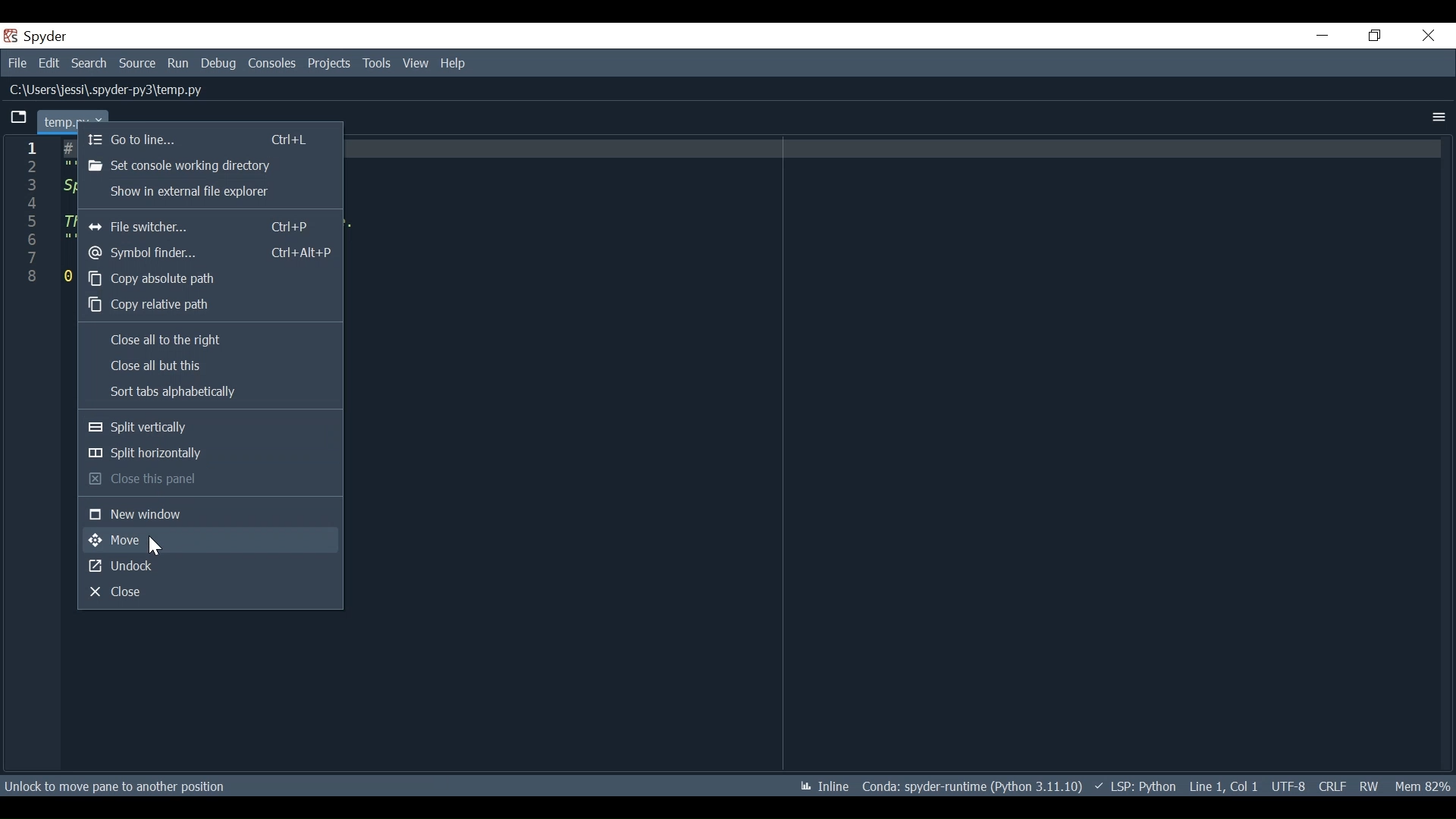 This screenshot has height=819, width=1456. Describe the element at coordinates (210, 515) in the screenshot. I see `New window` at that location.